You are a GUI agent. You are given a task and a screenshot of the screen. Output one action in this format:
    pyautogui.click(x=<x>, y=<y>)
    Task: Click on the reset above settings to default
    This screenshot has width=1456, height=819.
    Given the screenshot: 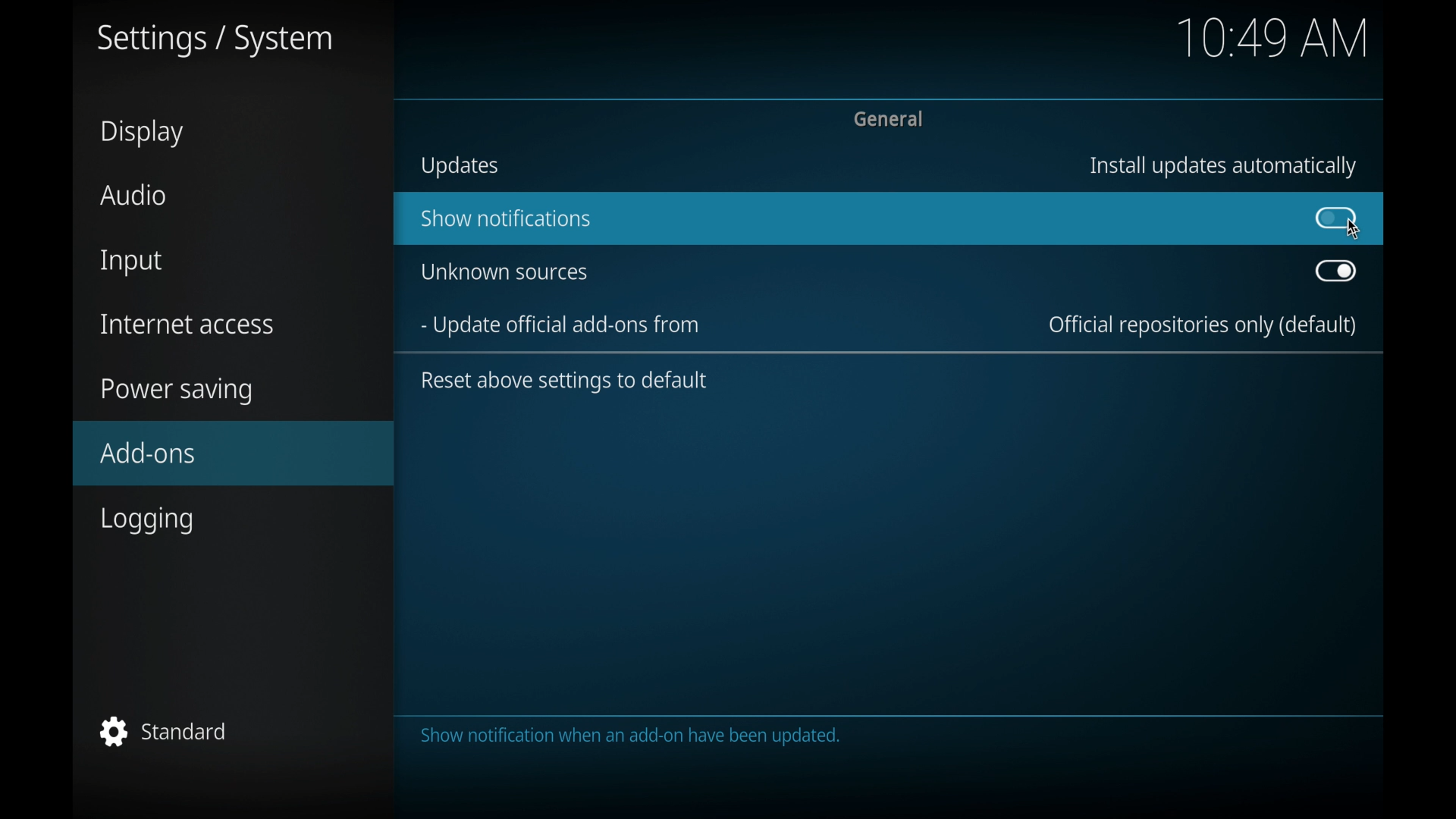 What is the action you would take?
    pyautogui.click(x=560, y=381)
    